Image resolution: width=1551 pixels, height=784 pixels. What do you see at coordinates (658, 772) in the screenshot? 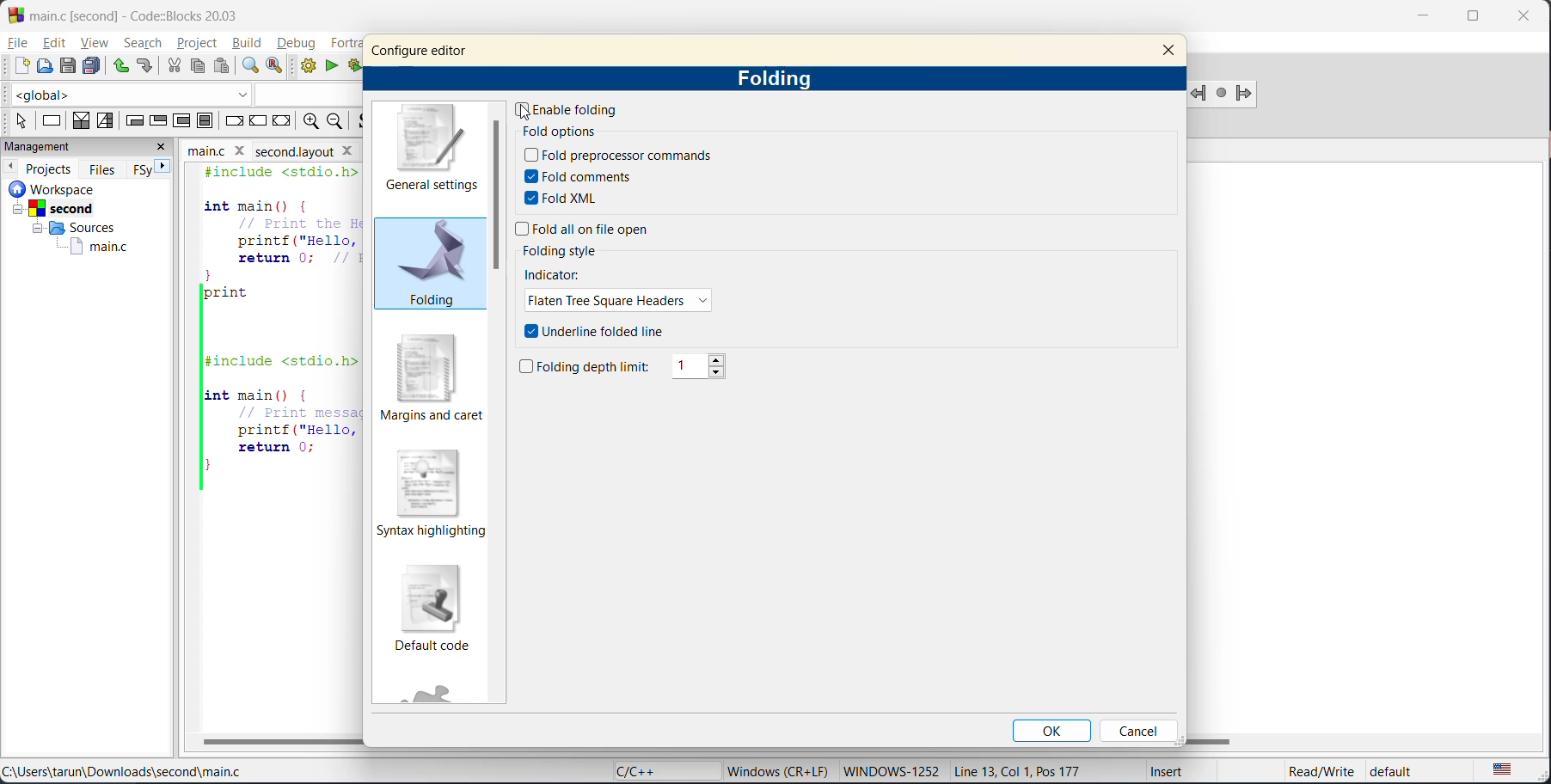
I see `language` at bounding box center [658, 772].